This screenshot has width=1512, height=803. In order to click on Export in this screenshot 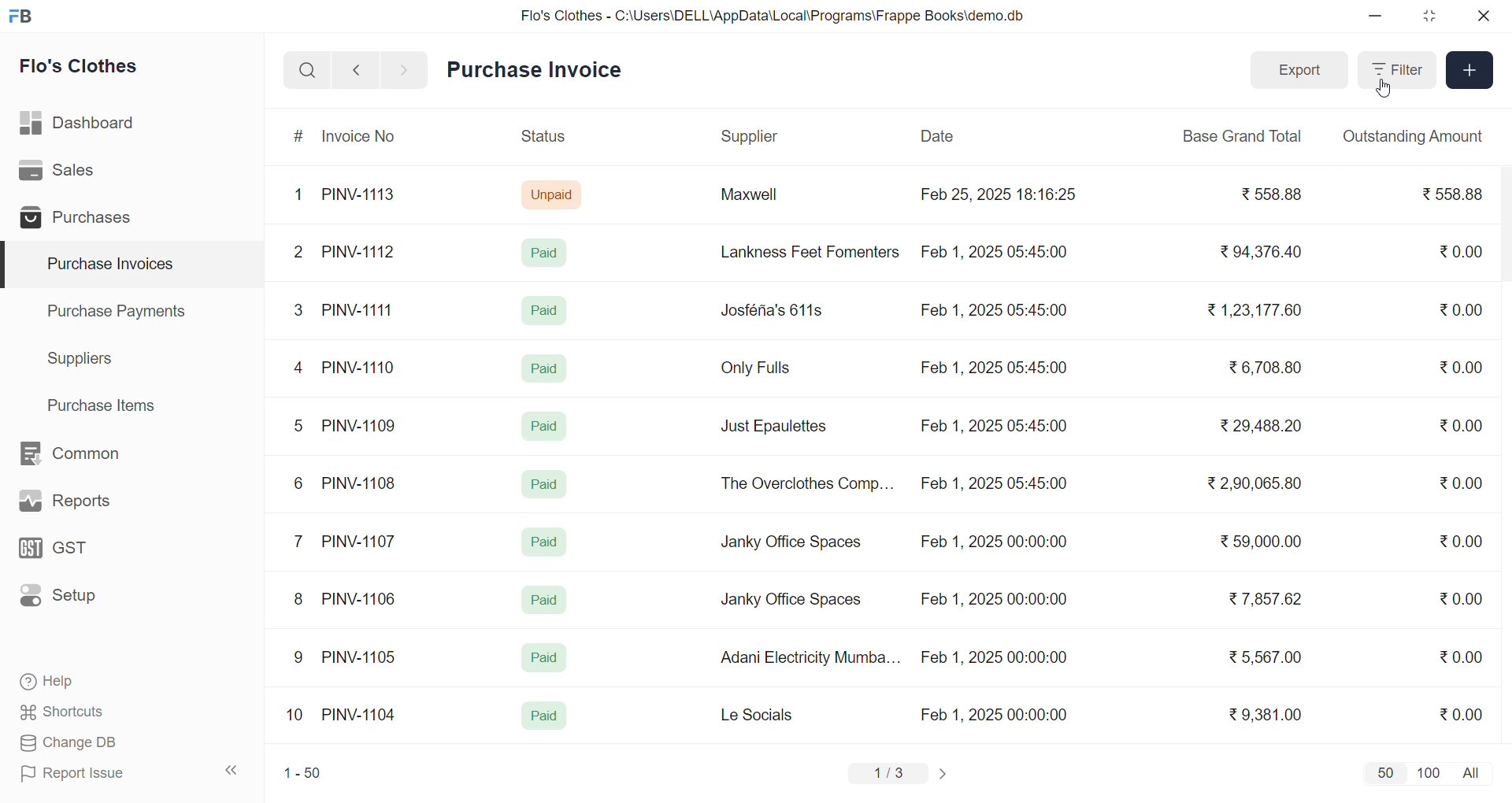, I will do `click(1299, 71)`.